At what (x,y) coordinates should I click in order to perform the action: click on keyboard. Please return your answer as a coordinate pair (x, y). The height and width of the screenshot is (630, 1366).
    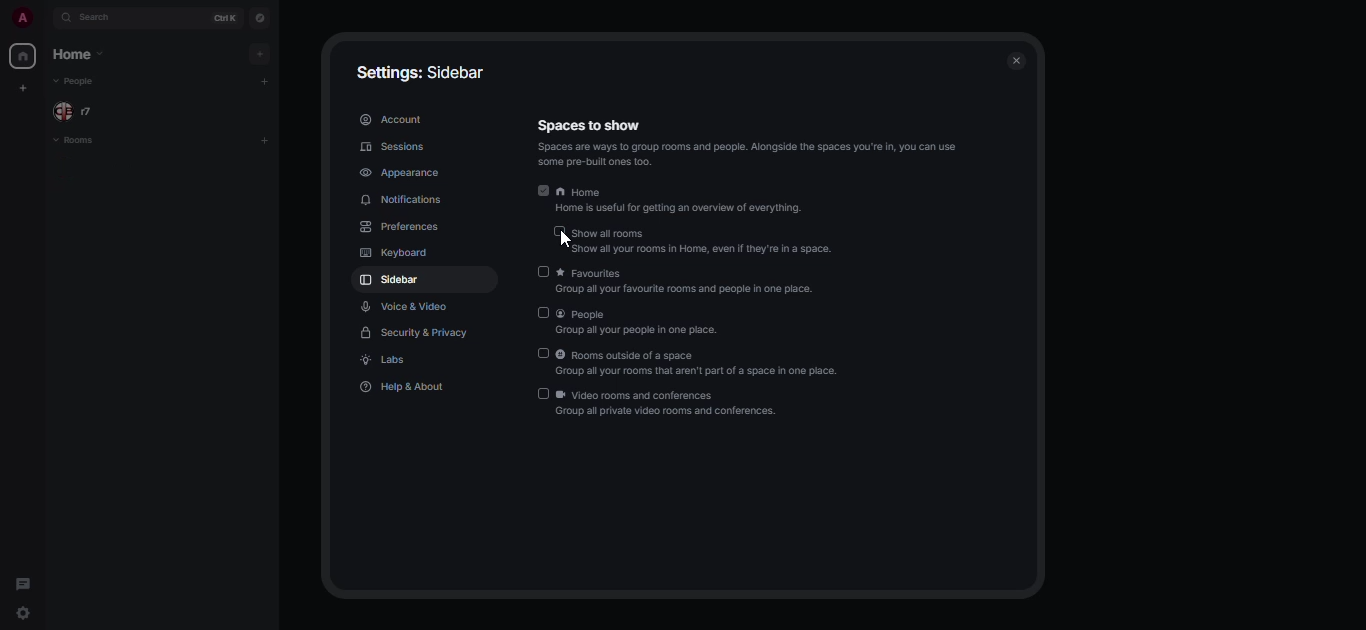
    Looking at the image, I should click on (393, 254).